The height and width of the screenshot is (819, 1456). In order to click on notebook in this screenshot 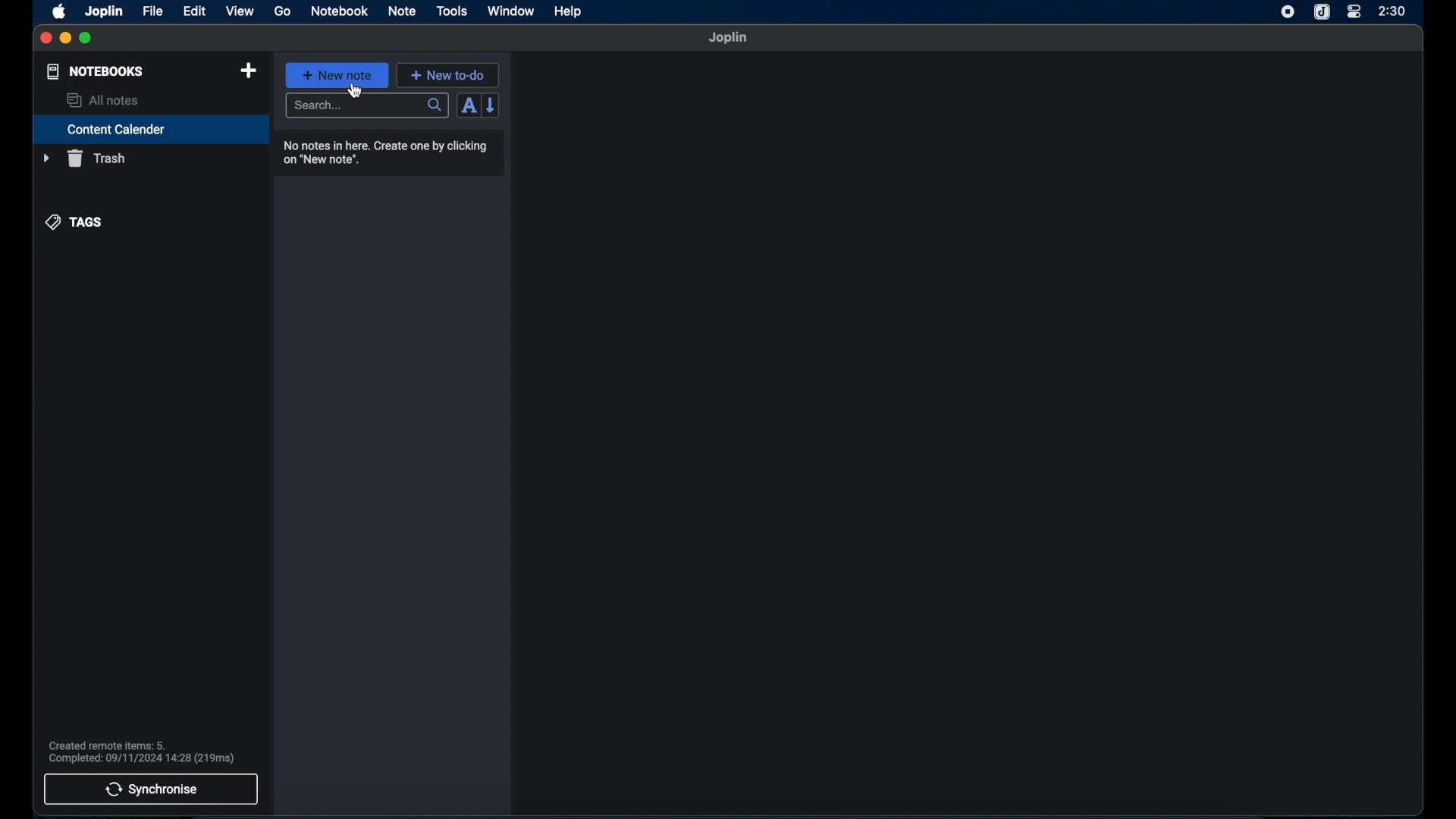, I will do `click(338, 11)`.